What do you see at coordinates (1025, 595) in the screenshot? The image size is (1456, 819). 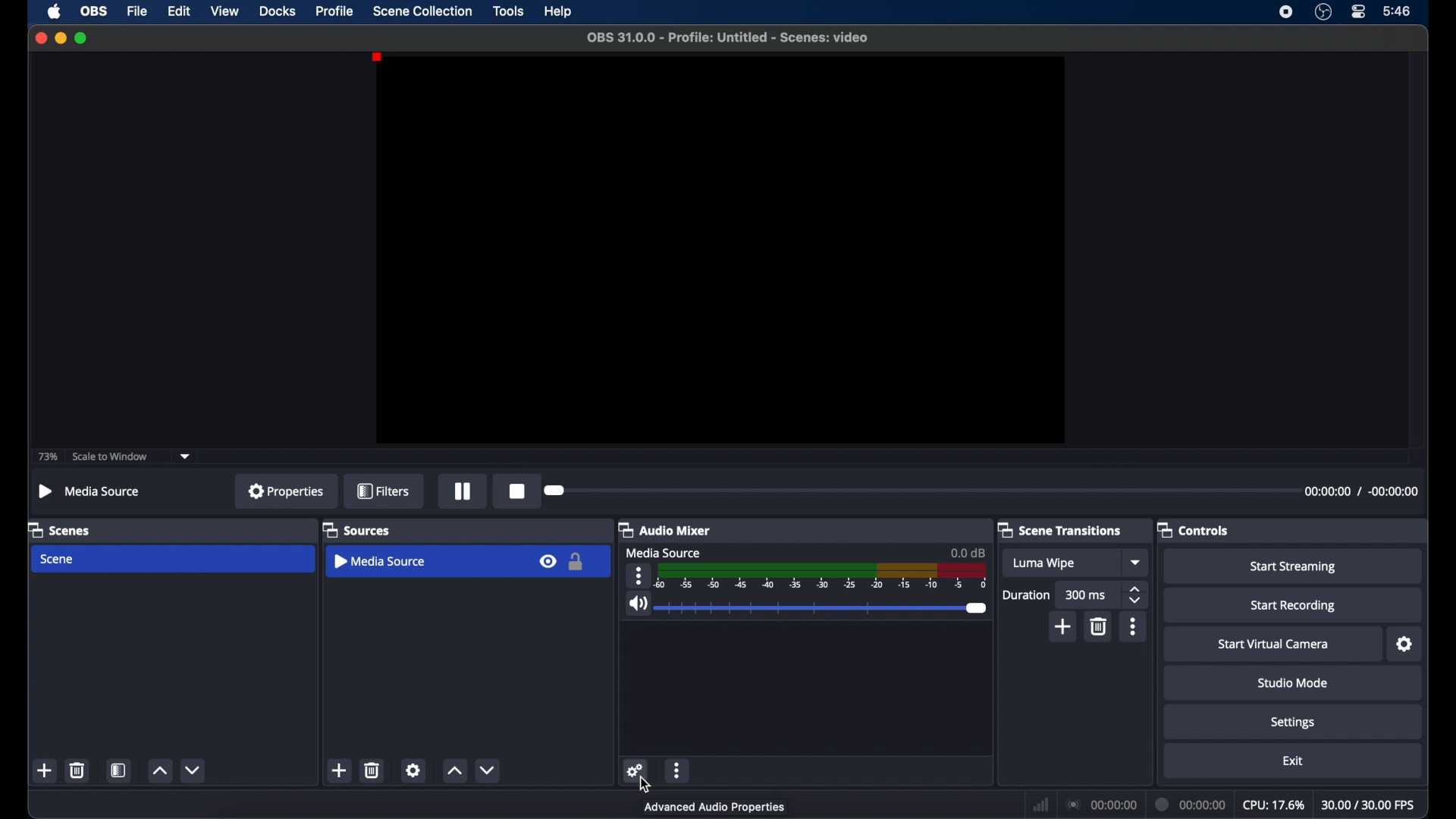 I see `duration` at bounding box center [1025, 595].